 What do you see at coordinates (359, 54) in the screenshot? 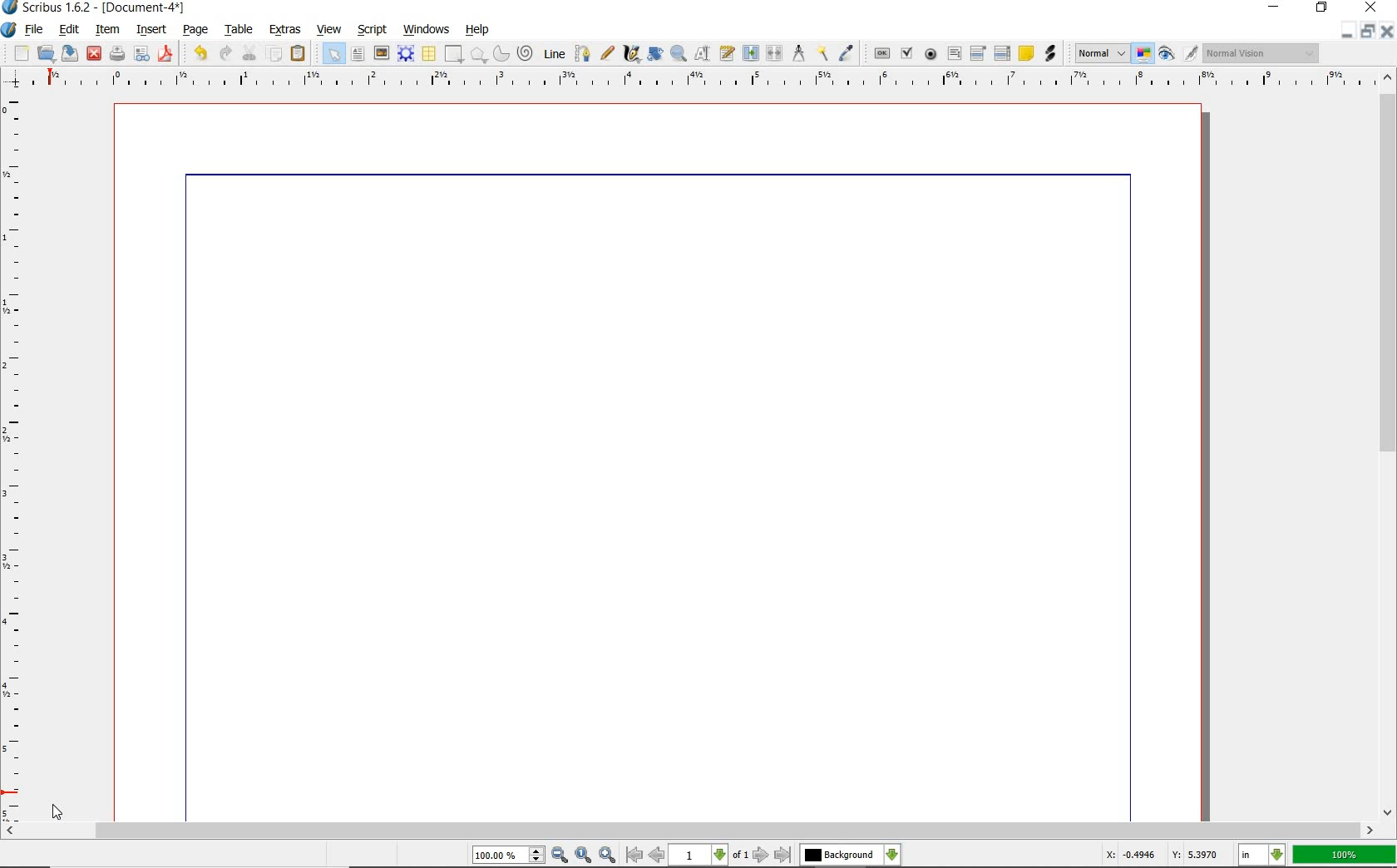
I see `text frame` at bounding box center [359, 54].